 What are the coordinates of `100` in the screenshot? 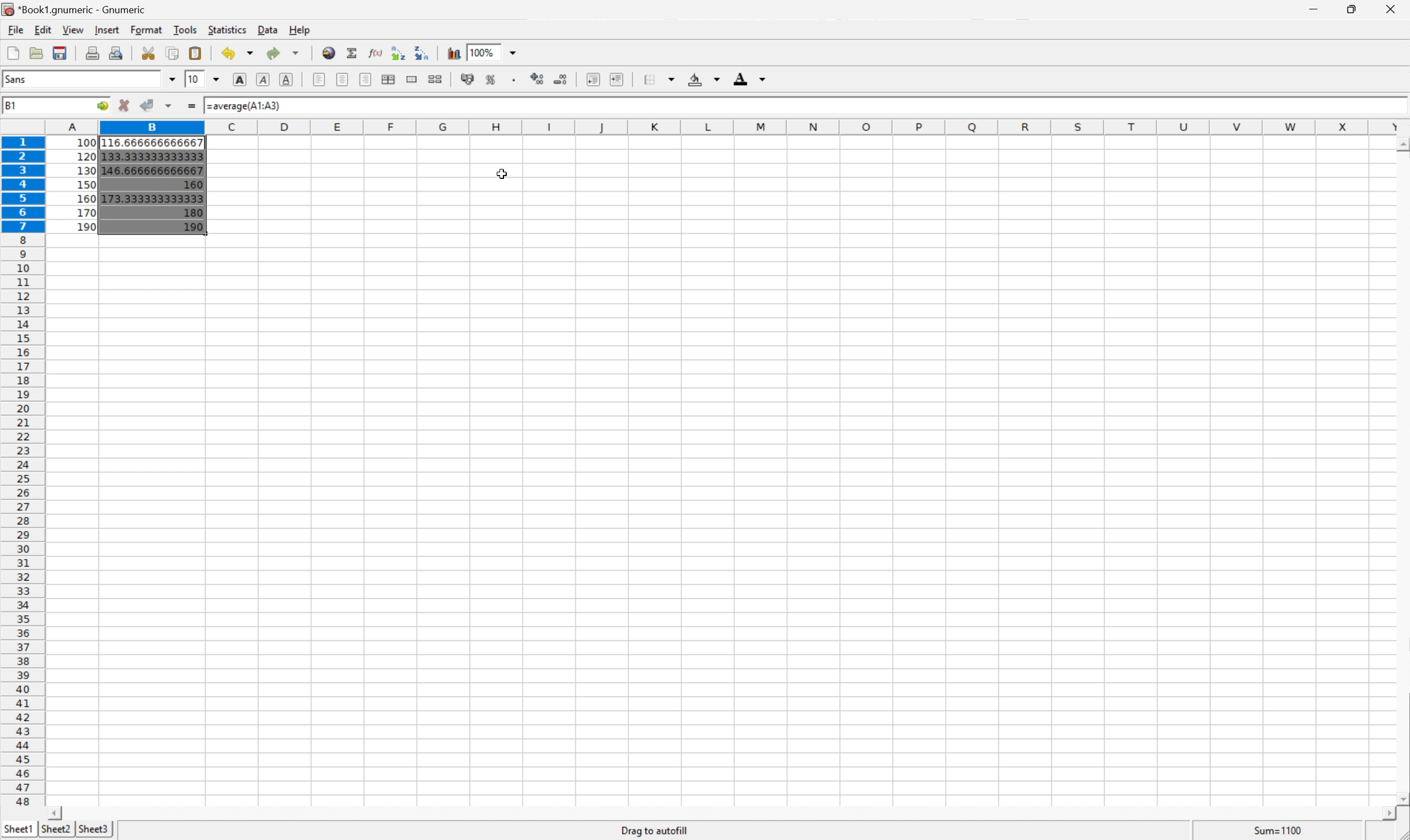 It's located at (87, 142).